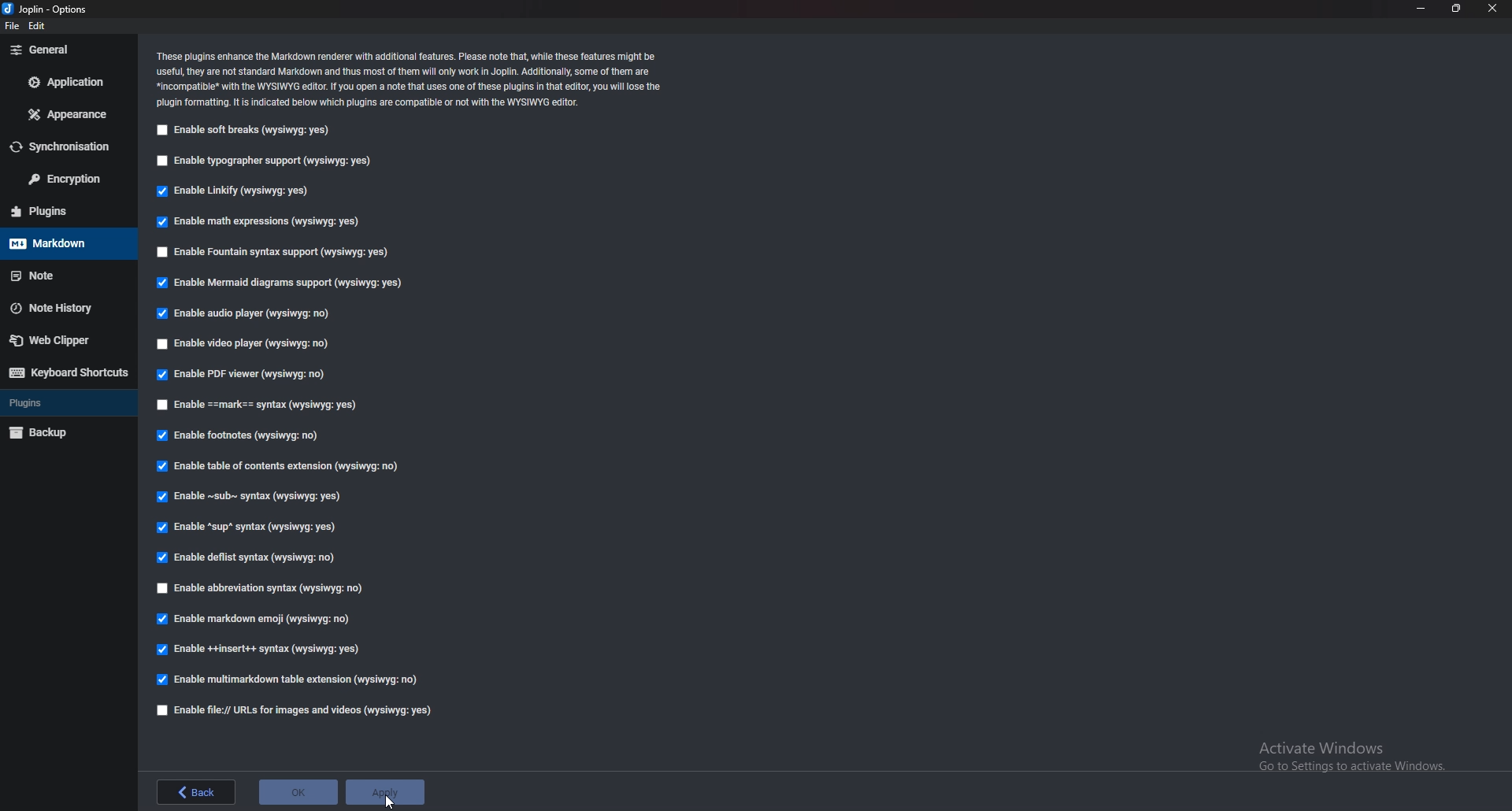  What do you see at coordinates (62, 50) in the screenshot?
I see `General` at bounding box center [62, 50].